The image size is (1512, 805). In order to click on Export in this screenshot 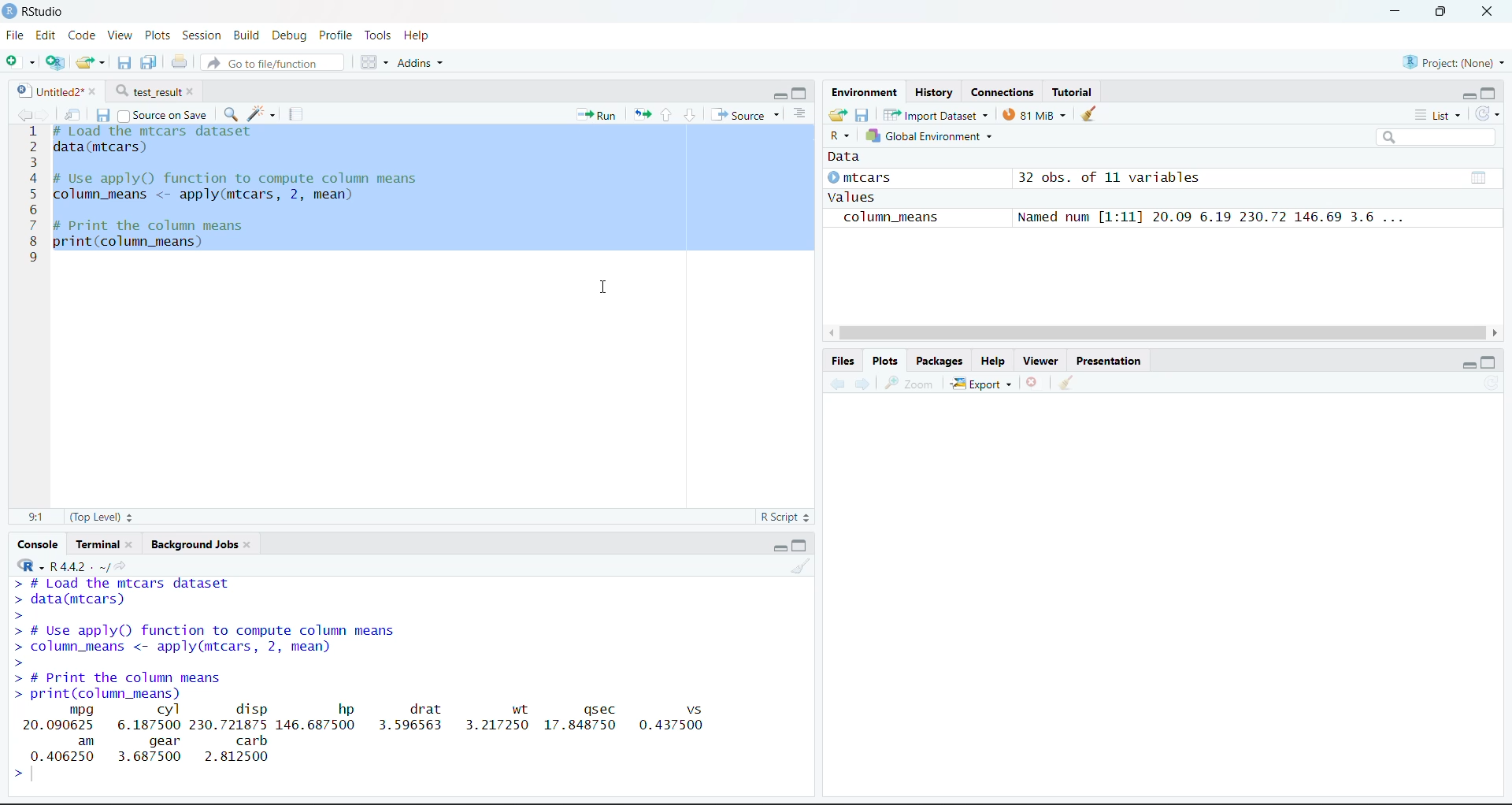, I will do `click(984, 381)`.